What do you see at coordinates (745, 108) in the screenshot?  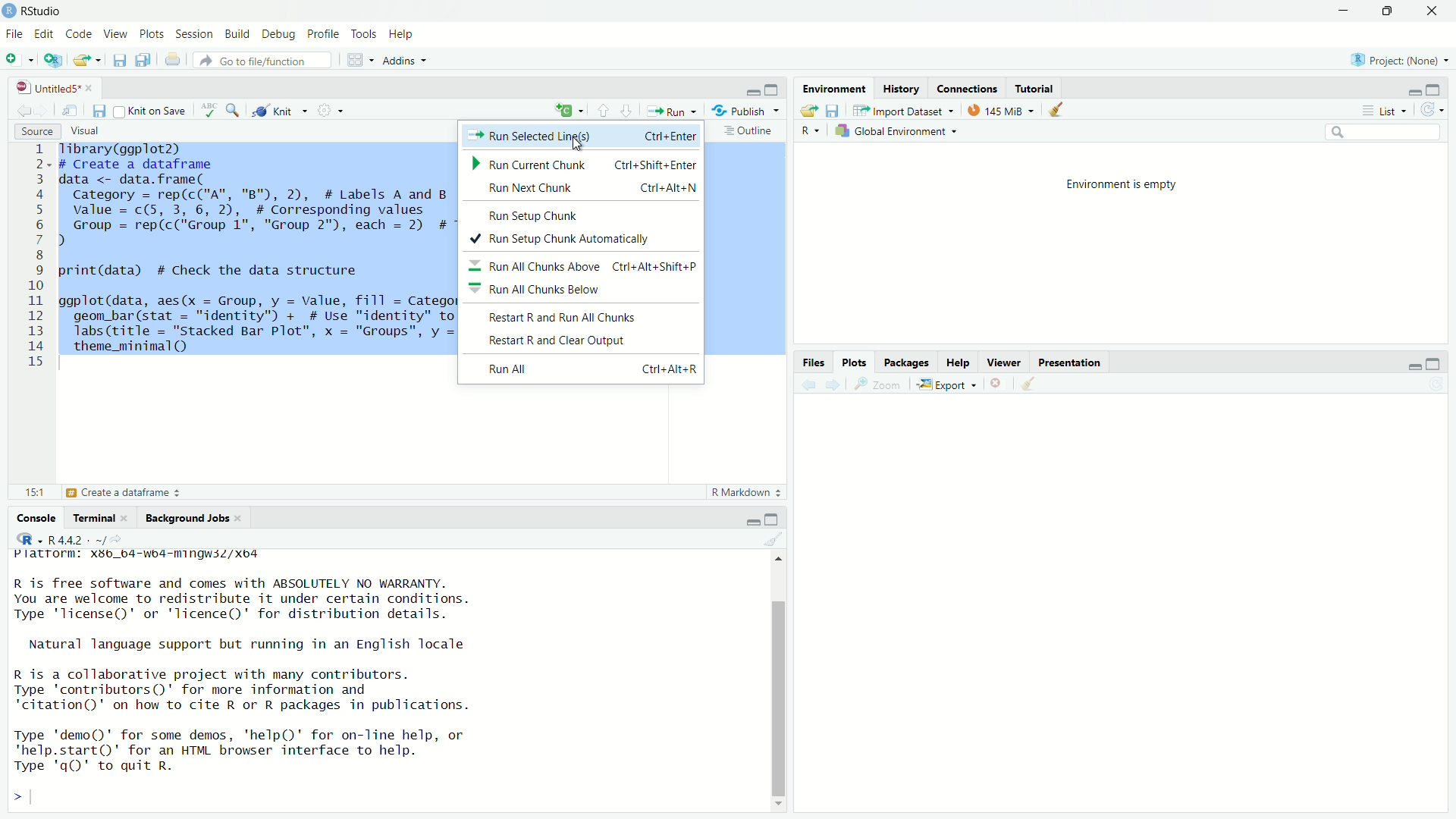 I see `Publish` at bounding box center [745, 108].